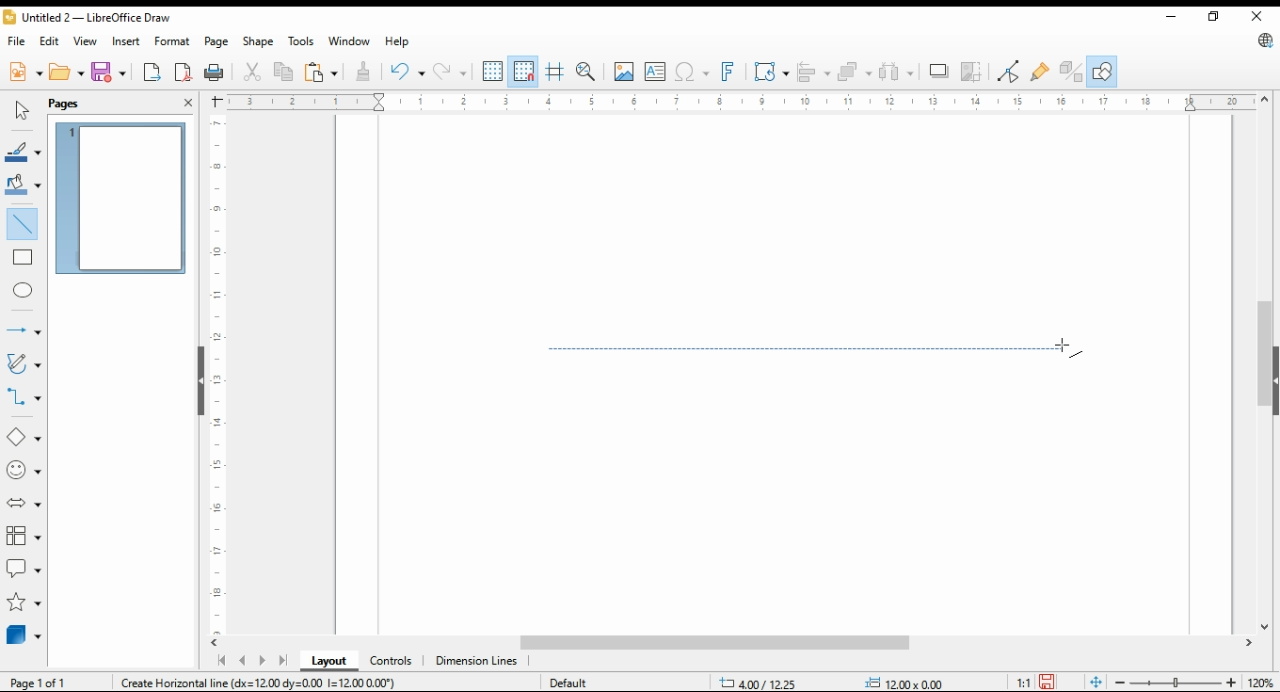 This screenshot has width=1280, height=692. What do you see at coordinates (25, 469) in the screenshot?
I see `symbol shapes` at bounding box center [25, 469].